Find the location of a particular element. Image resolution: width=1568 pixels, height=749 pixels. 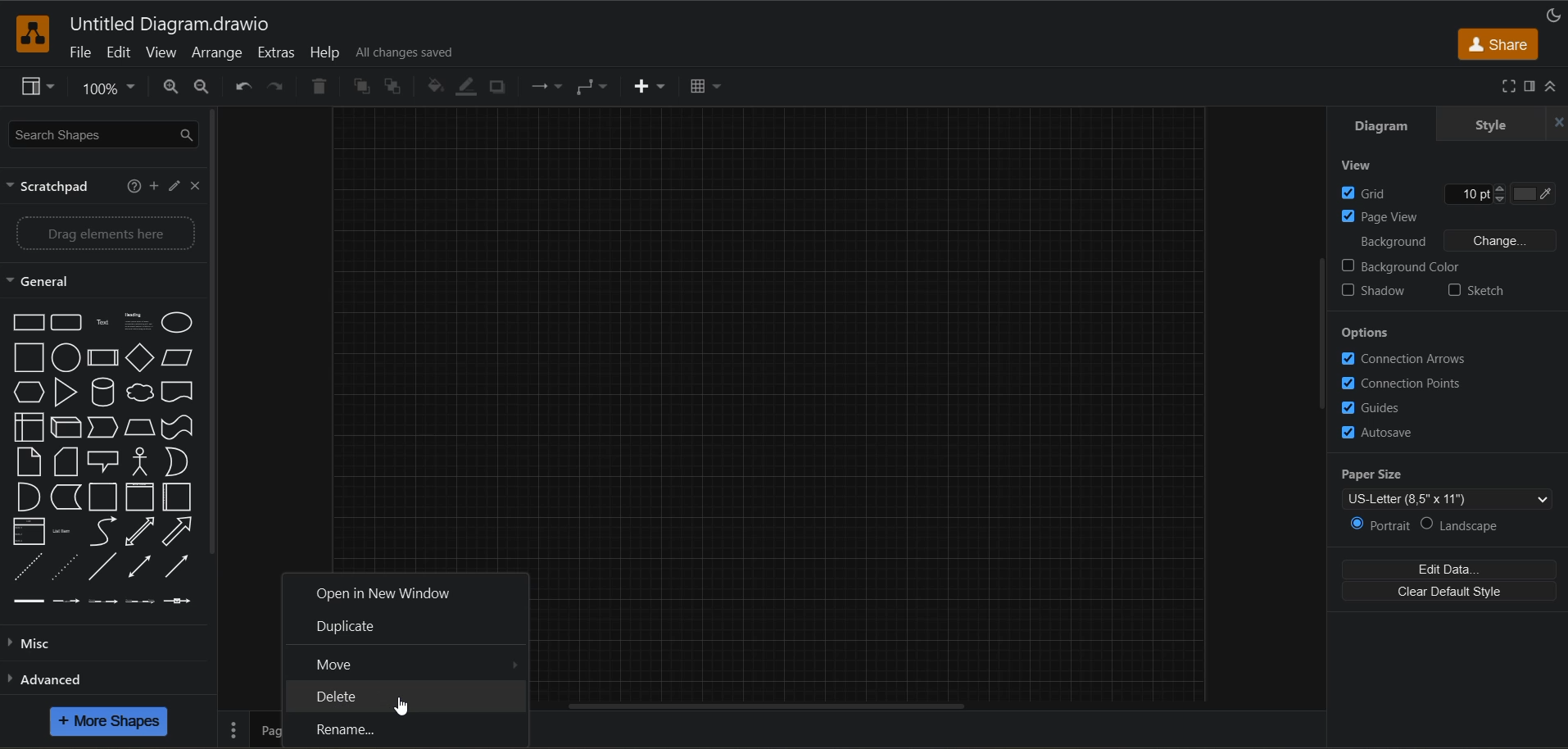

options is located at coordinates (1369, 331).